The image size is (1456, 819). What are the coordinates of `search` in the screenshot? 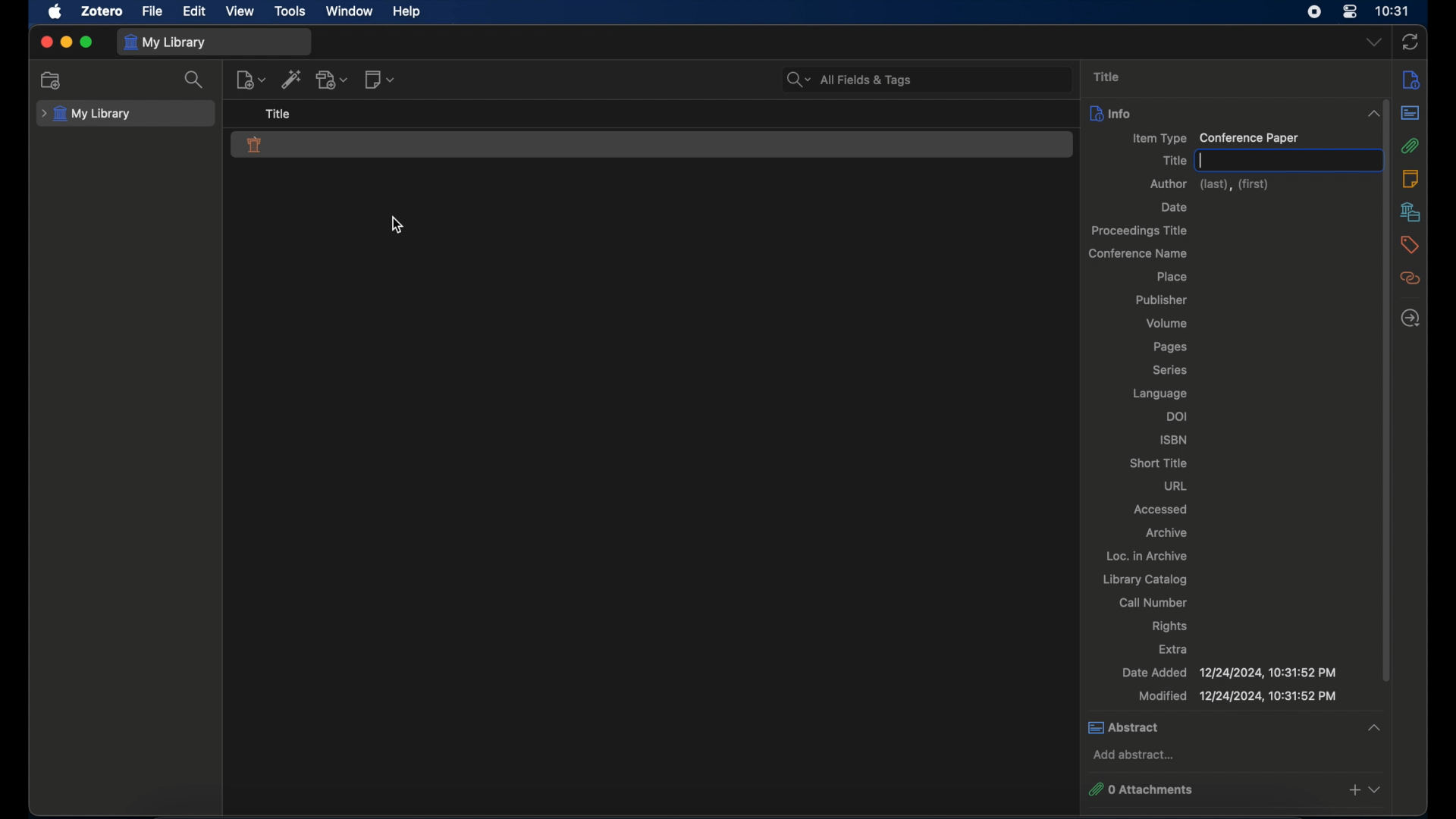 It's located at (194, 80).